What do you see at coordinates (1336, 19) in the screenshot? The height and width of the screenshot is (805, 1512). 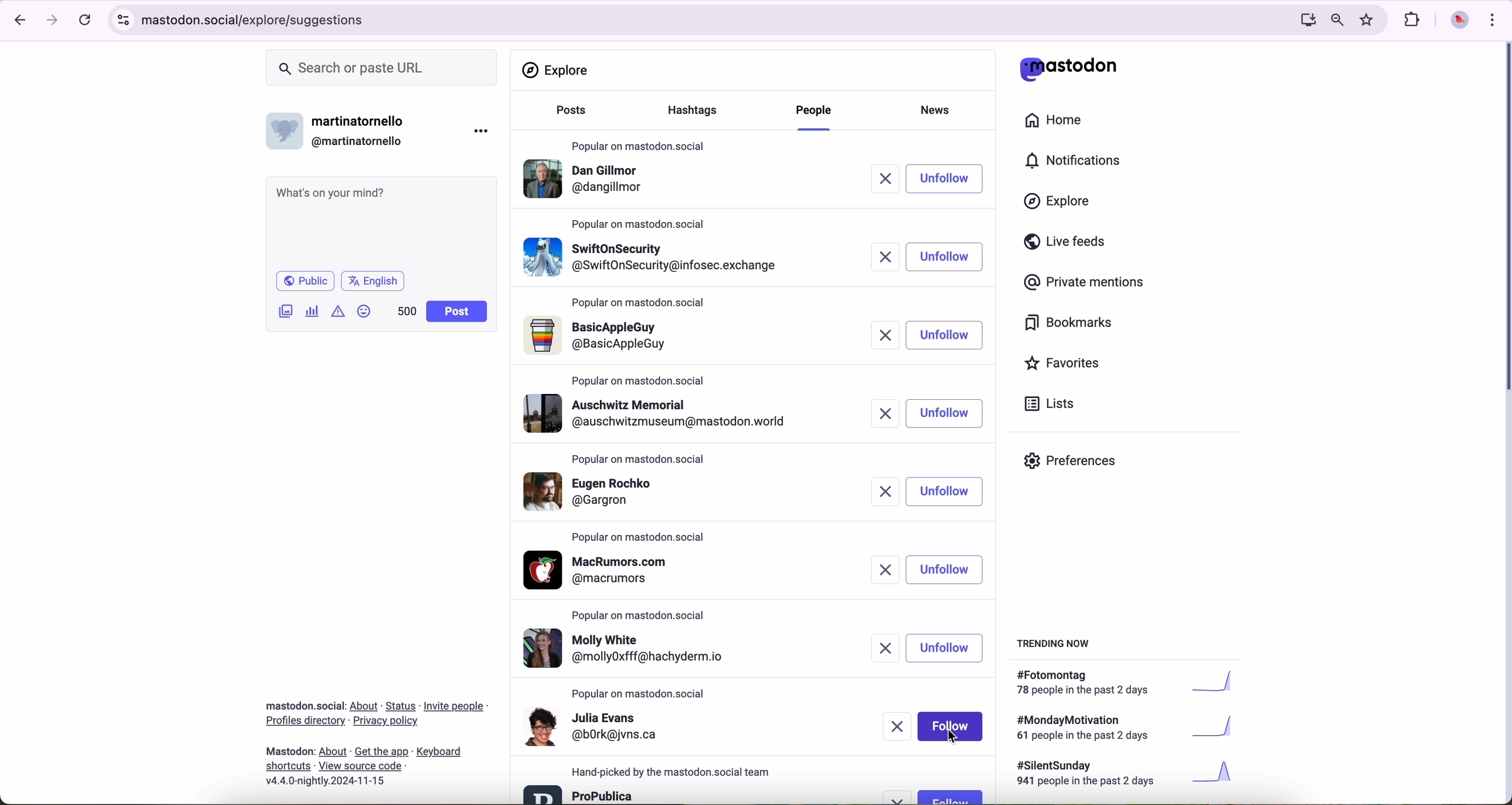 I see `zoom out` at bounding box center [1336, 19].